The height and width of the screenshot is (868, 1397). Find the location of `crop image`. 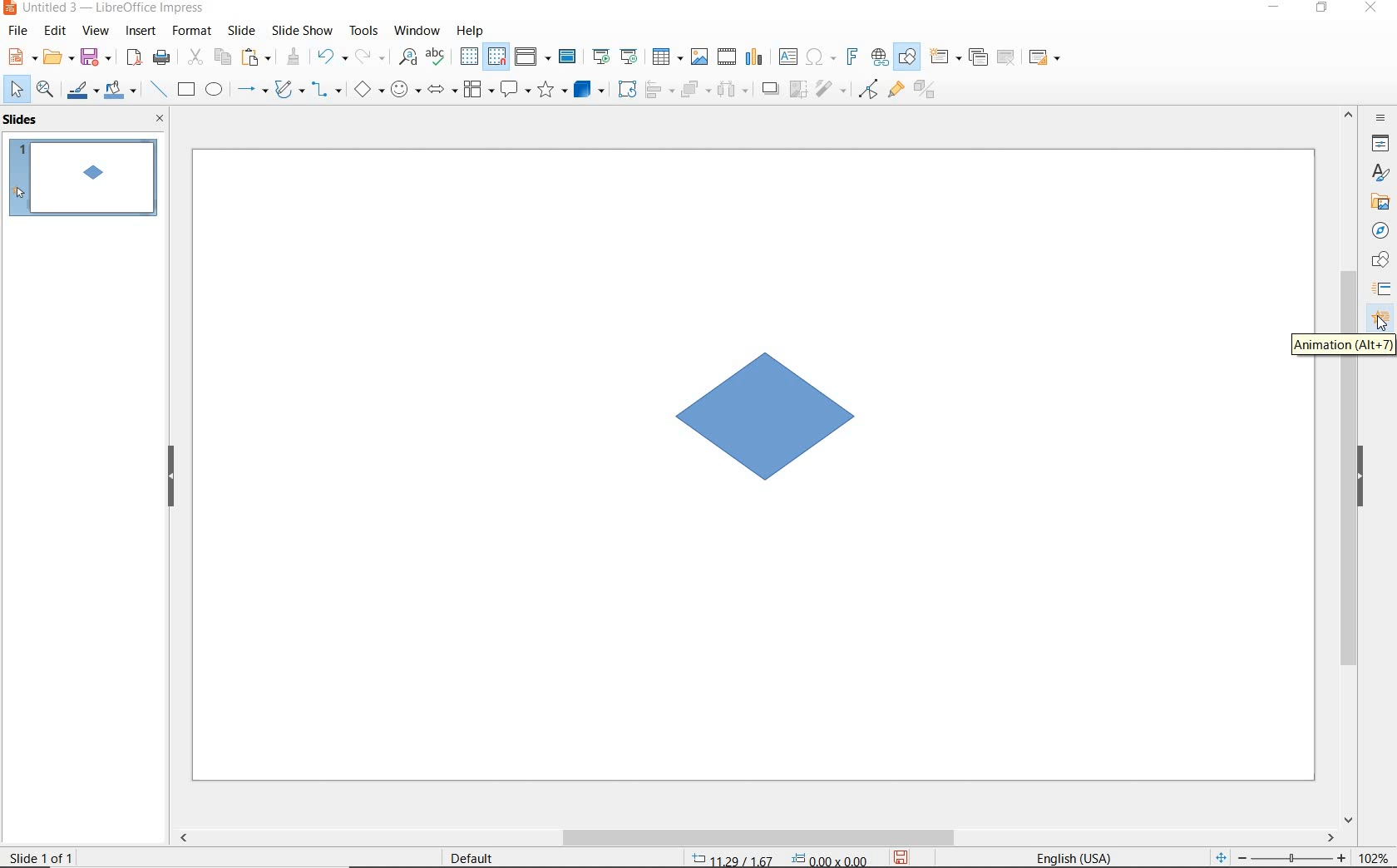

crop image is located at coordinates (798, 90).